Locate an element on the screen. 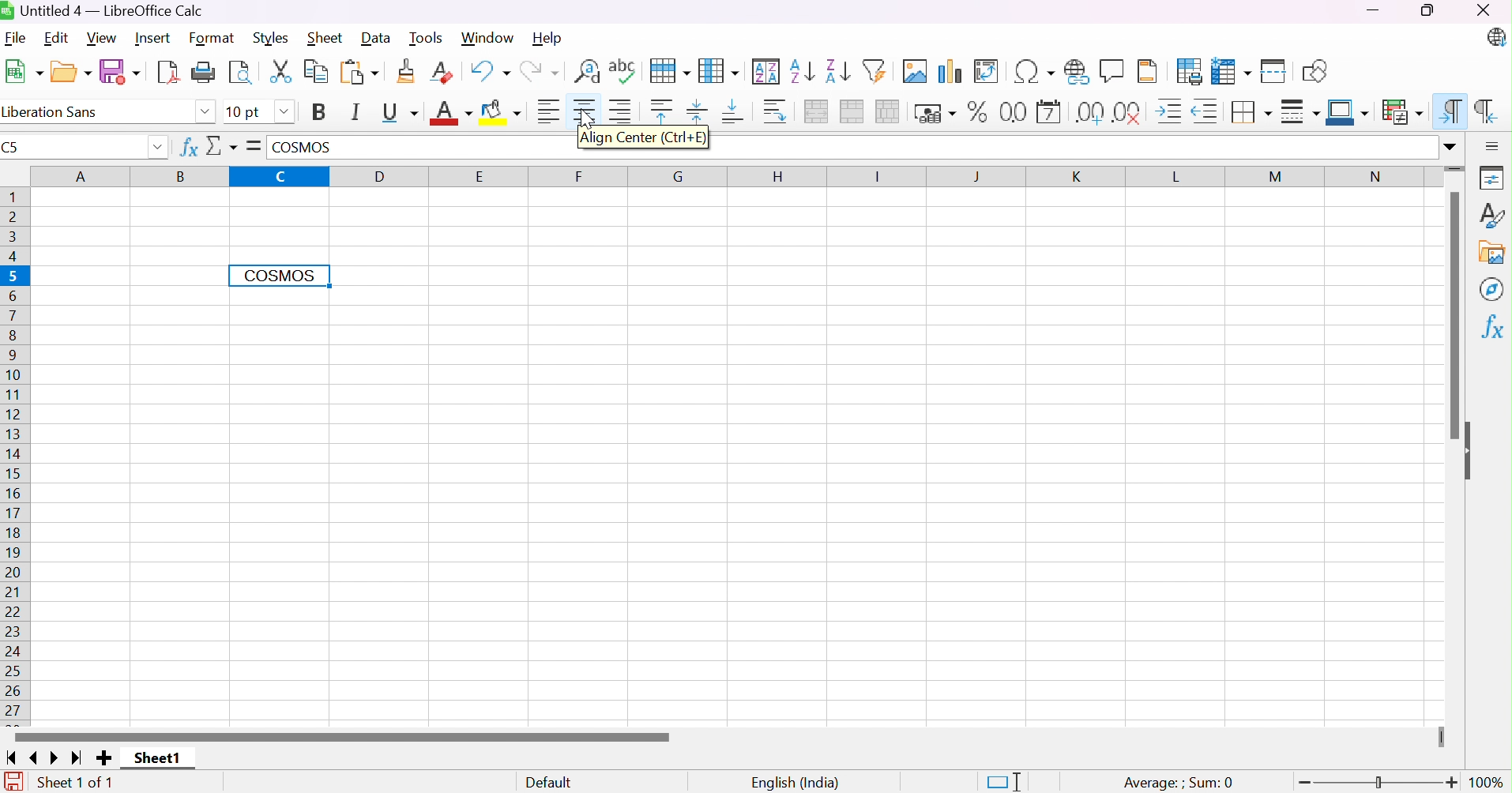 The height and width of the screenshot is (793, 1512). Navigator is located at coordinates (1494, 288).